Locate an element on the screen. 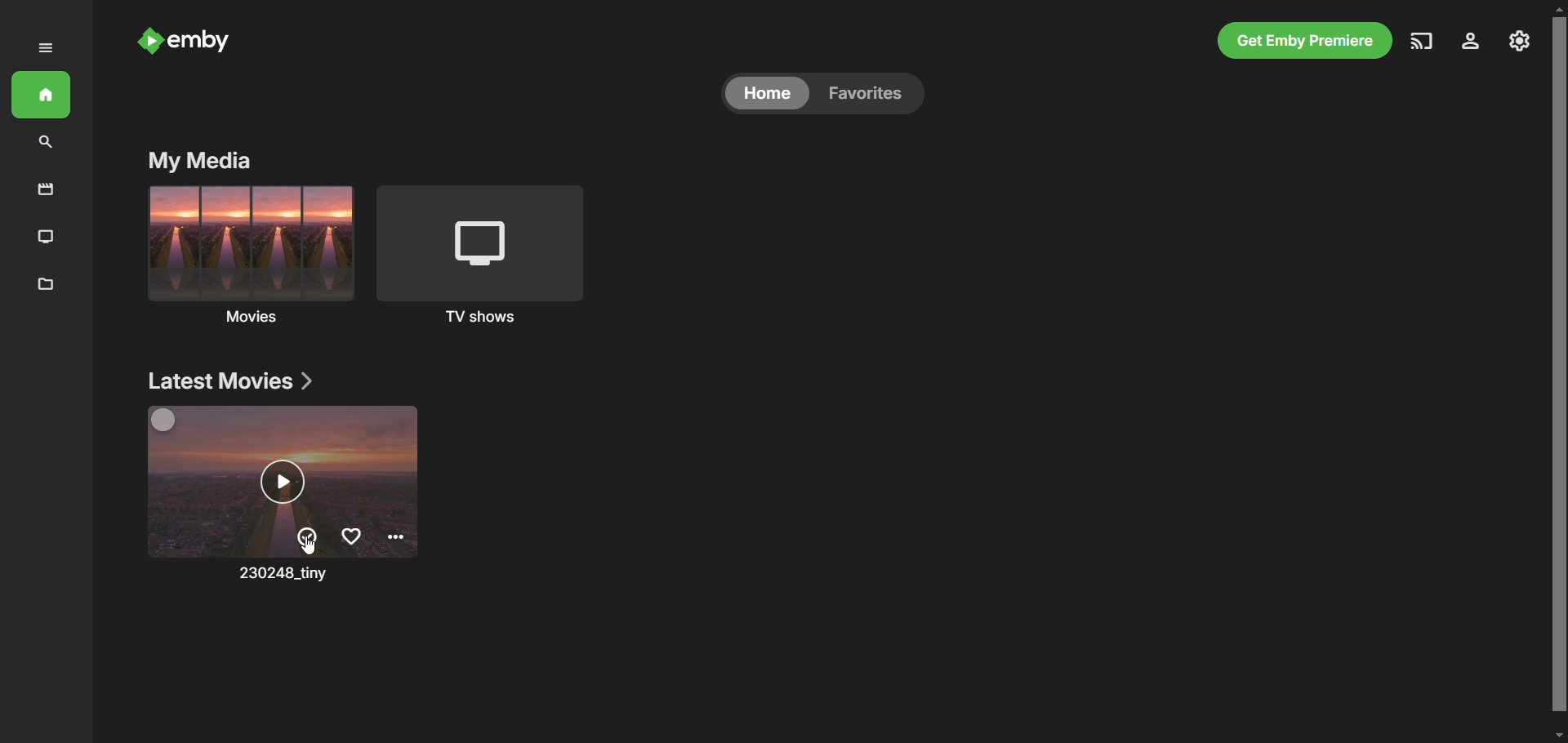 This screenshot has width=1568, height=743. TV shows is located at coordinates (47, 236).